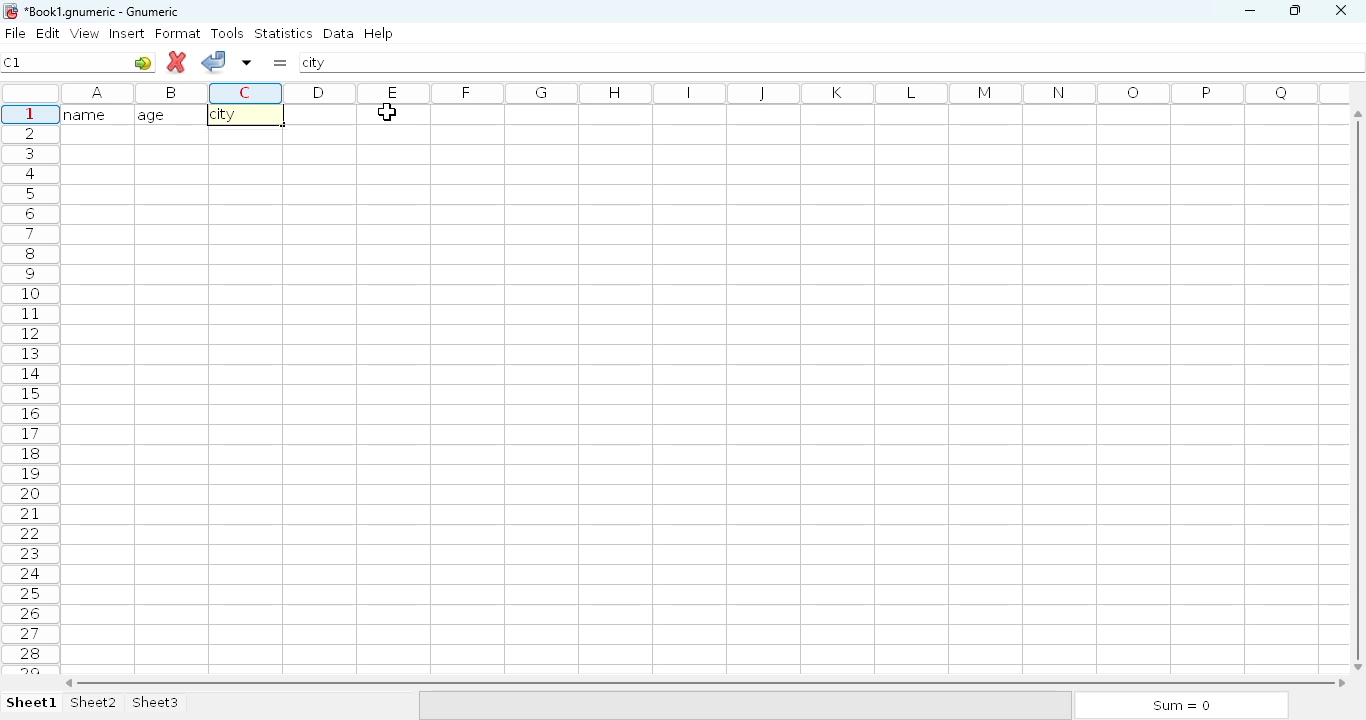 This screenshot has width=1366, height=720. I want to click on maximize, so click(1294, 9).